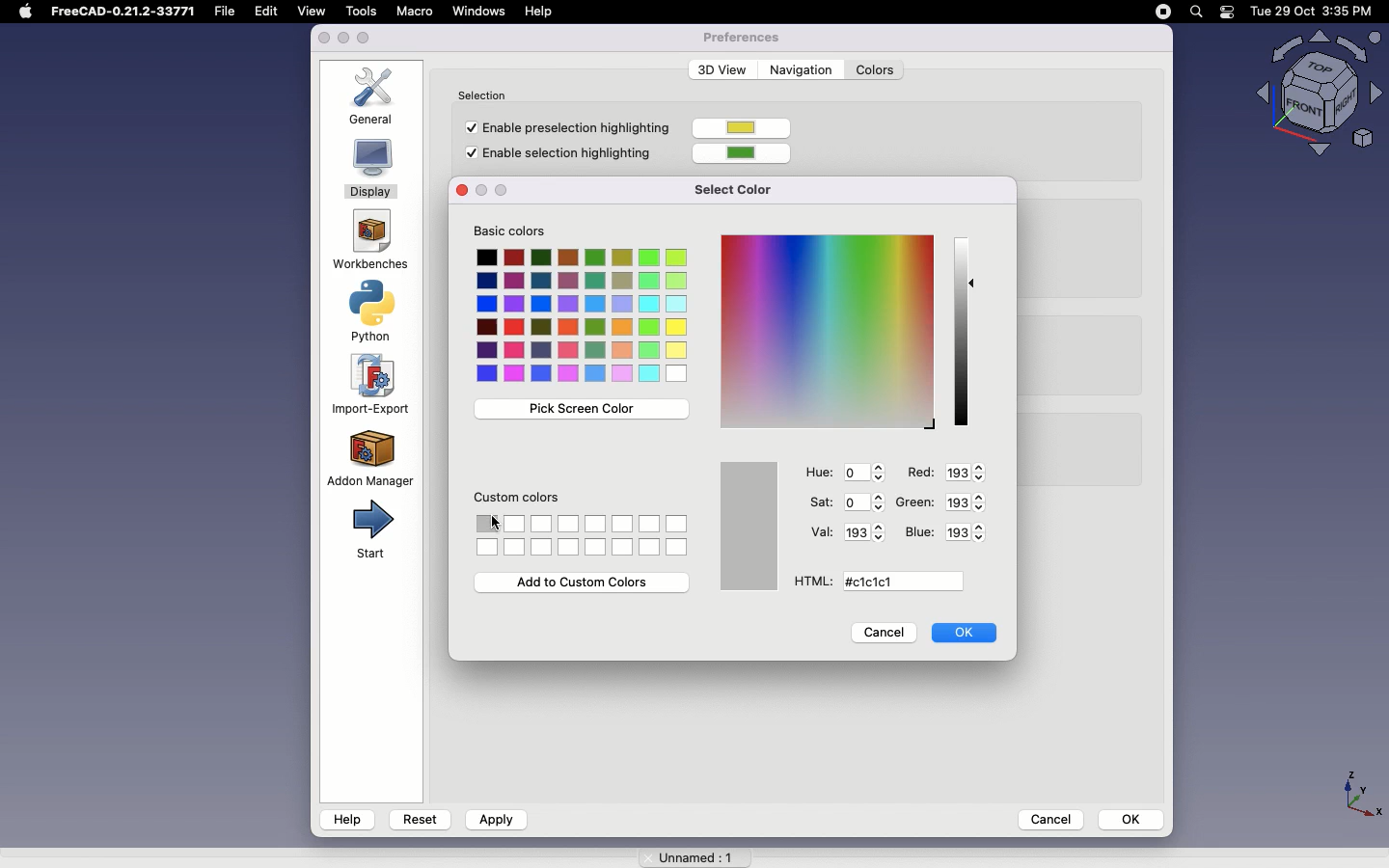 Image resolution: width=1389 pixels, height=868 pixels. Describe the element at coordinates (521, 232) in the screenshot. I see `Basic colors` at that location.